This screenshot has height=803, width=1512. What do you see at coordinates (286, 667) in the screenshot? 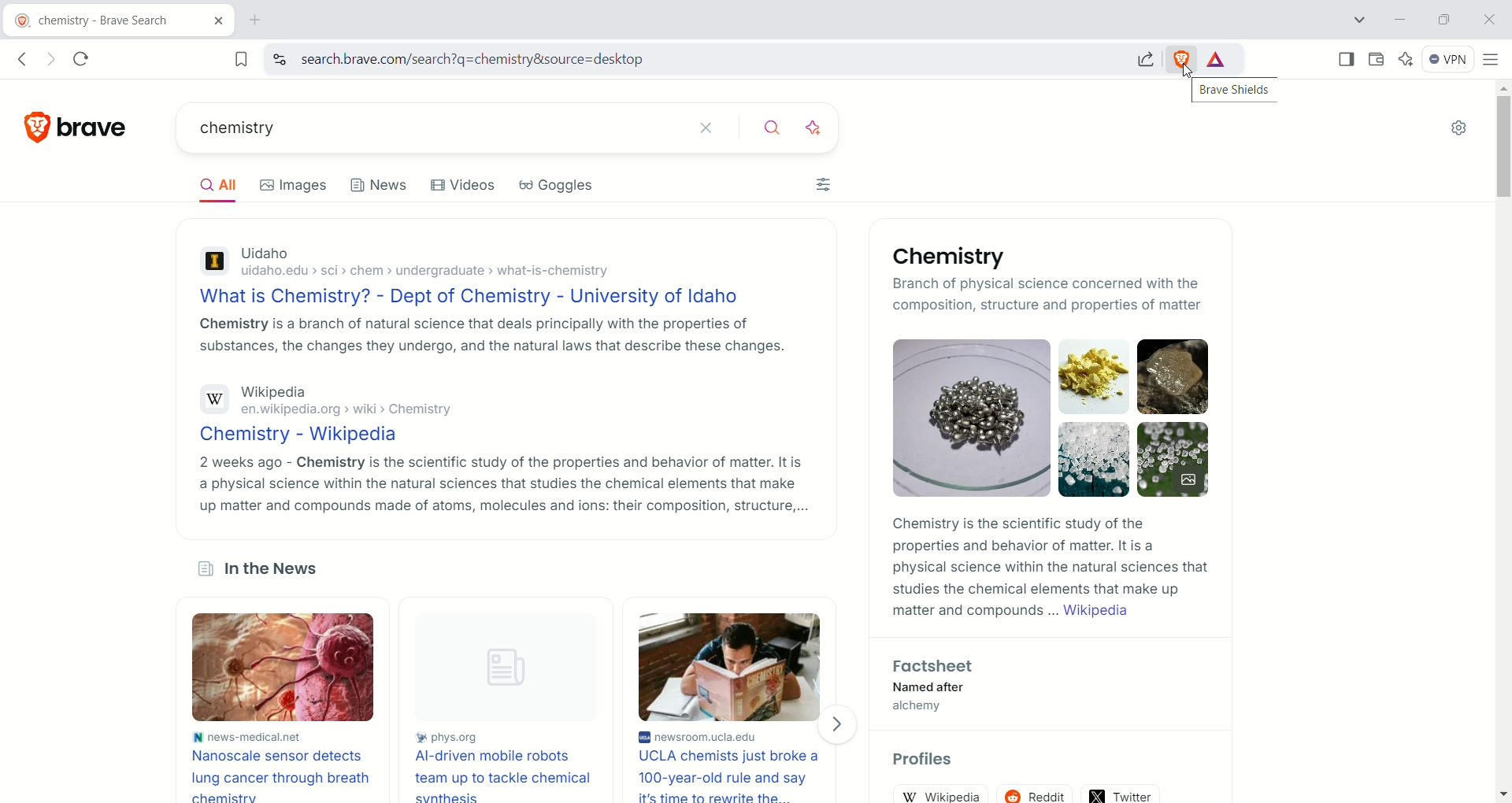
I see `image related to lung cancer` at bounding box center [286, 667].